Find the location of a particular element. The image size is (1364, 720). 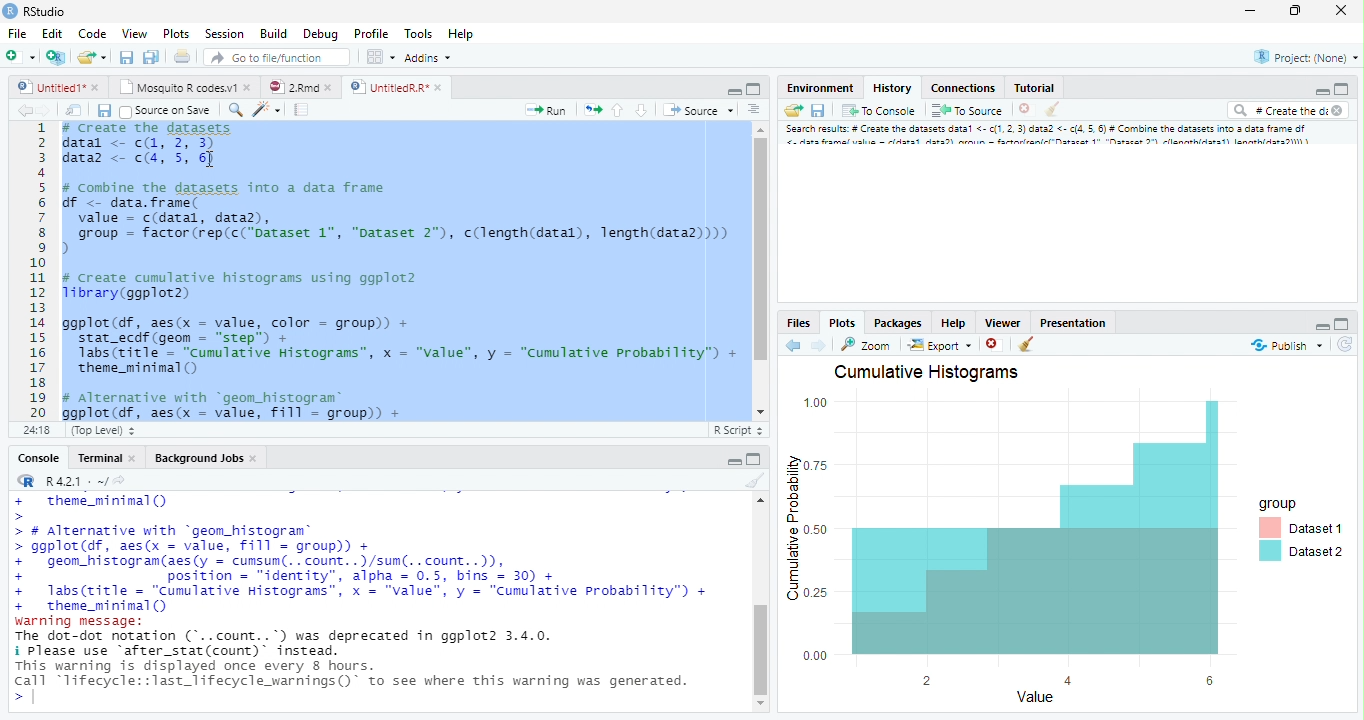

File is located at coordinates (17, 35).